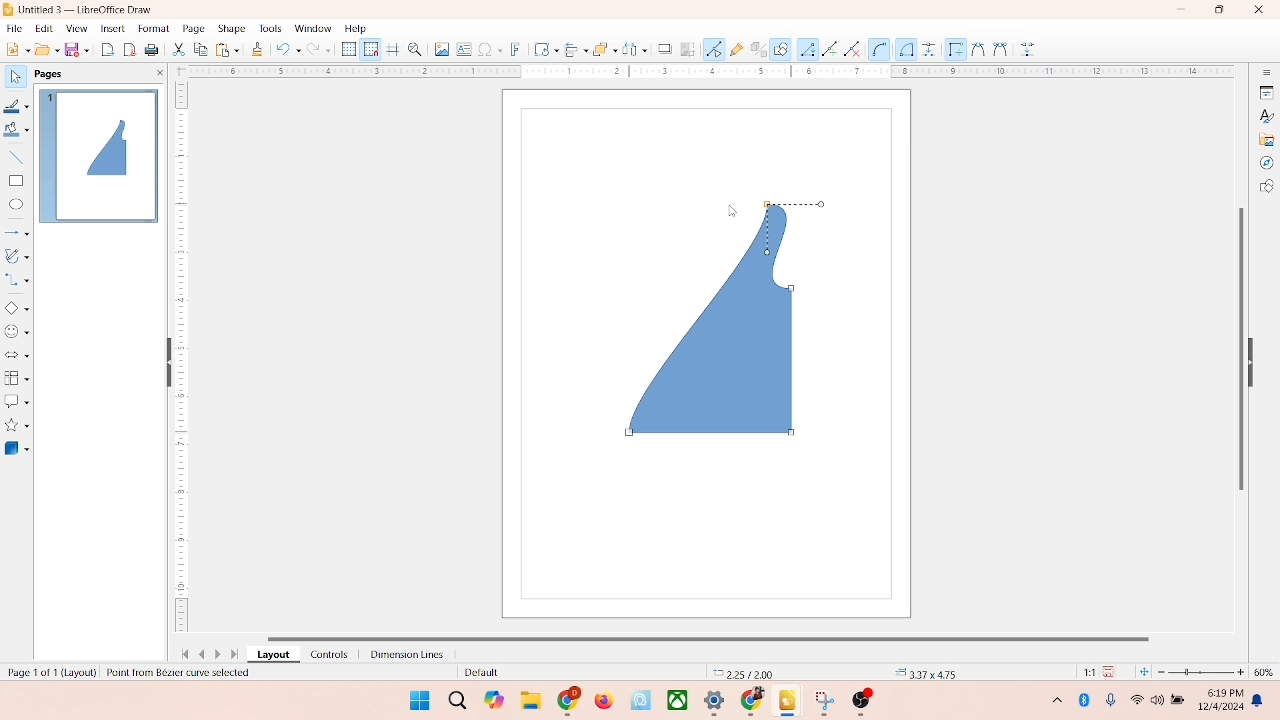  What do you see at coordinates (72, 28) in the screenshot?
I see `view` at bounding box center [72, 28].